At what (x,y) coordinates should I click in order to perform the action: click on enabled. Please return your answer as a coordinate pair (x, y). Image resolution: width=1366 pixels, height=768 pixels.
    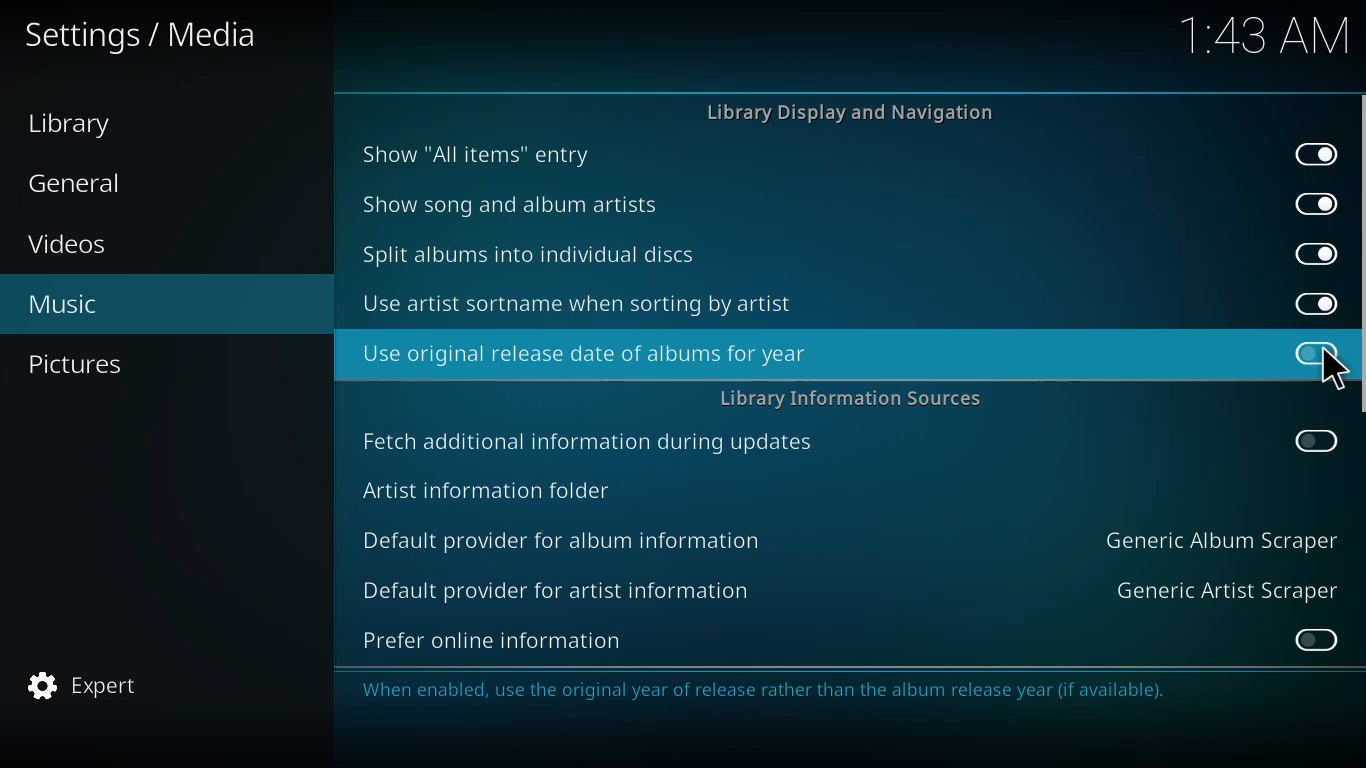
    Looking at the image, I should click on (1313, 301).